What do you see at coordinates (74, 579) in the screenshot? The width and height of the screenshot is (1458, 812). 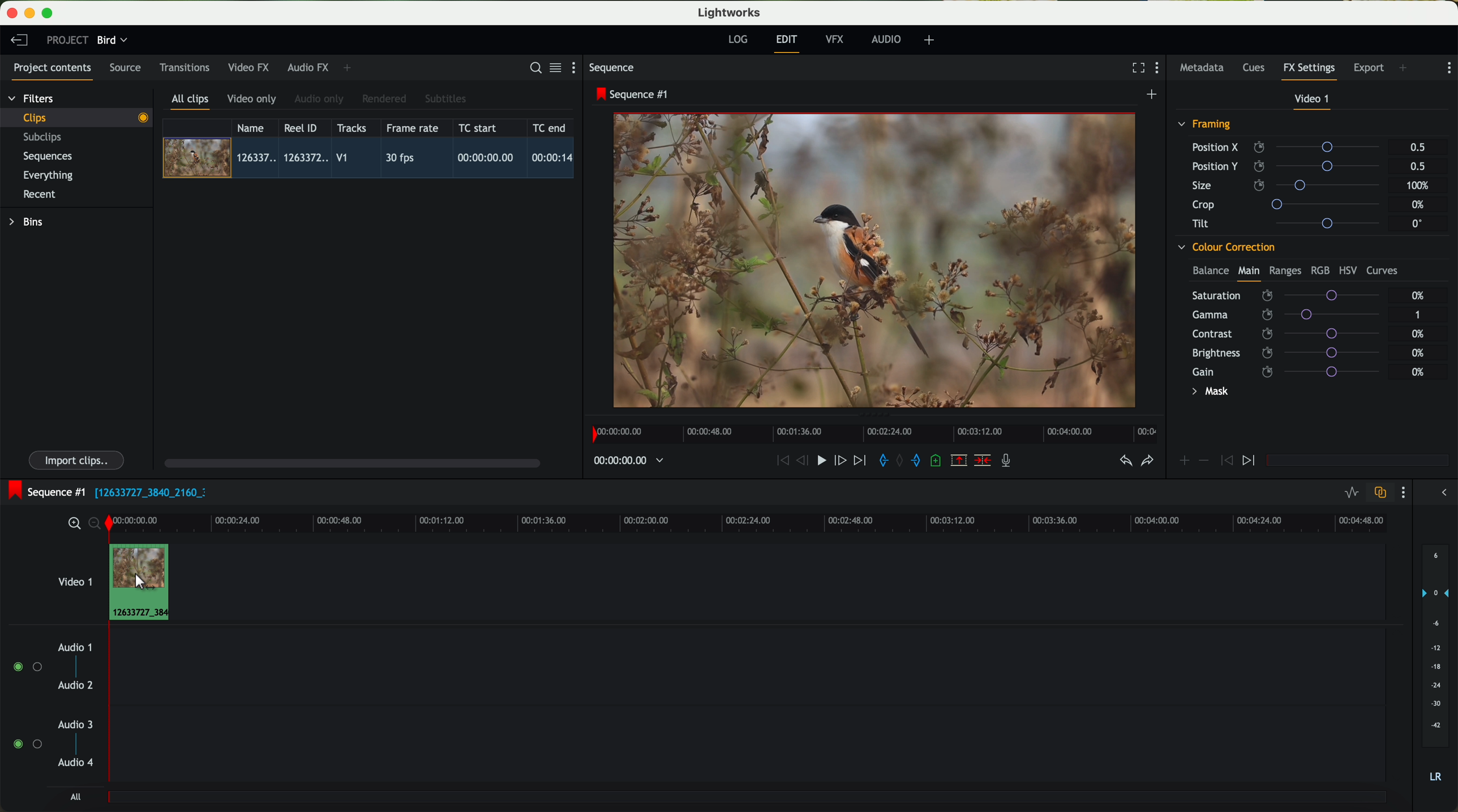 I see `video 1` at bounding box center [74, 579].